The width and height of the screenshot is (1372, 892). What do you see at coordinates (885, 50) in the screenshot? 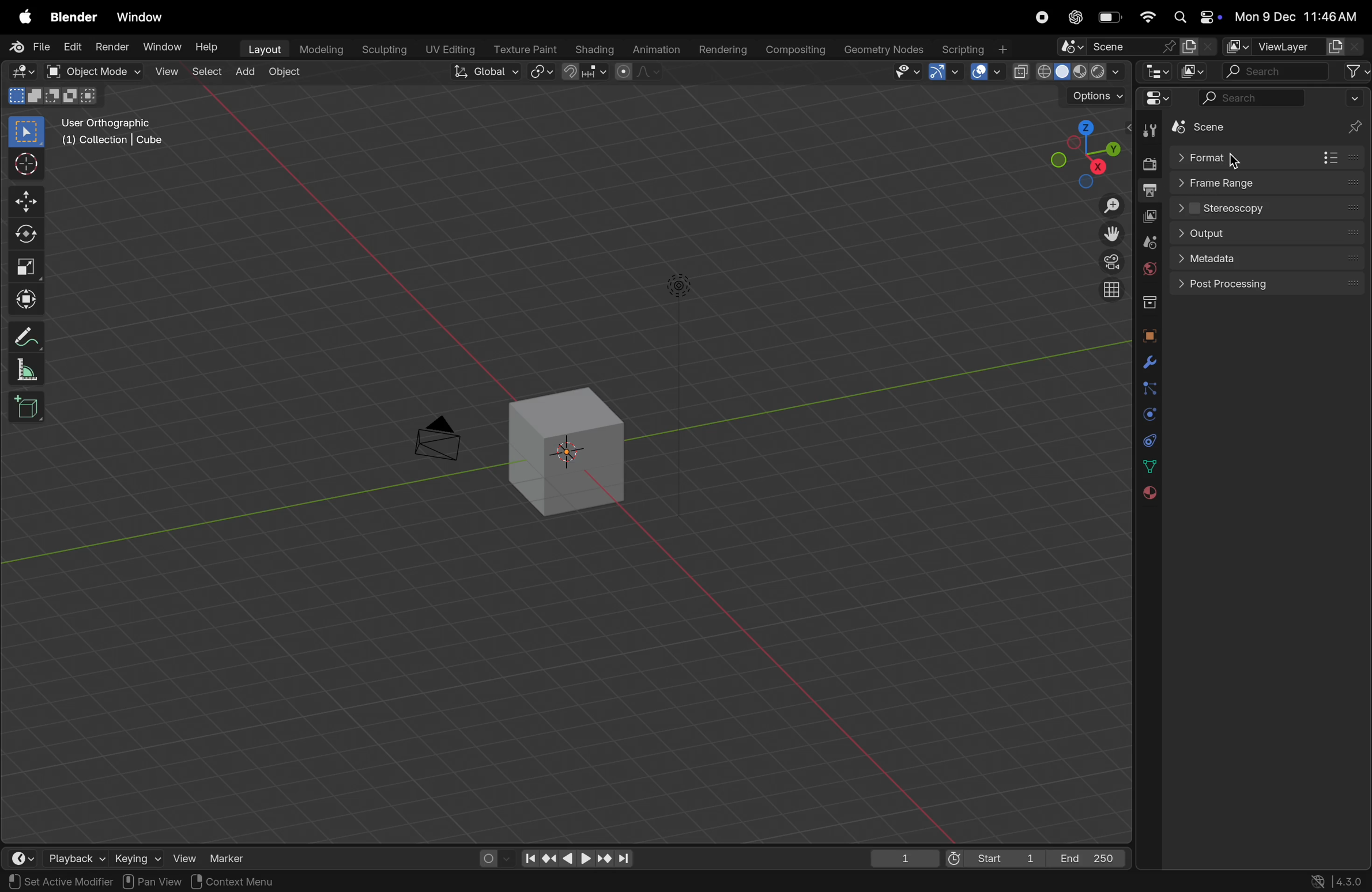
I see `Geometry nodes` at bounding box center [885, 50].